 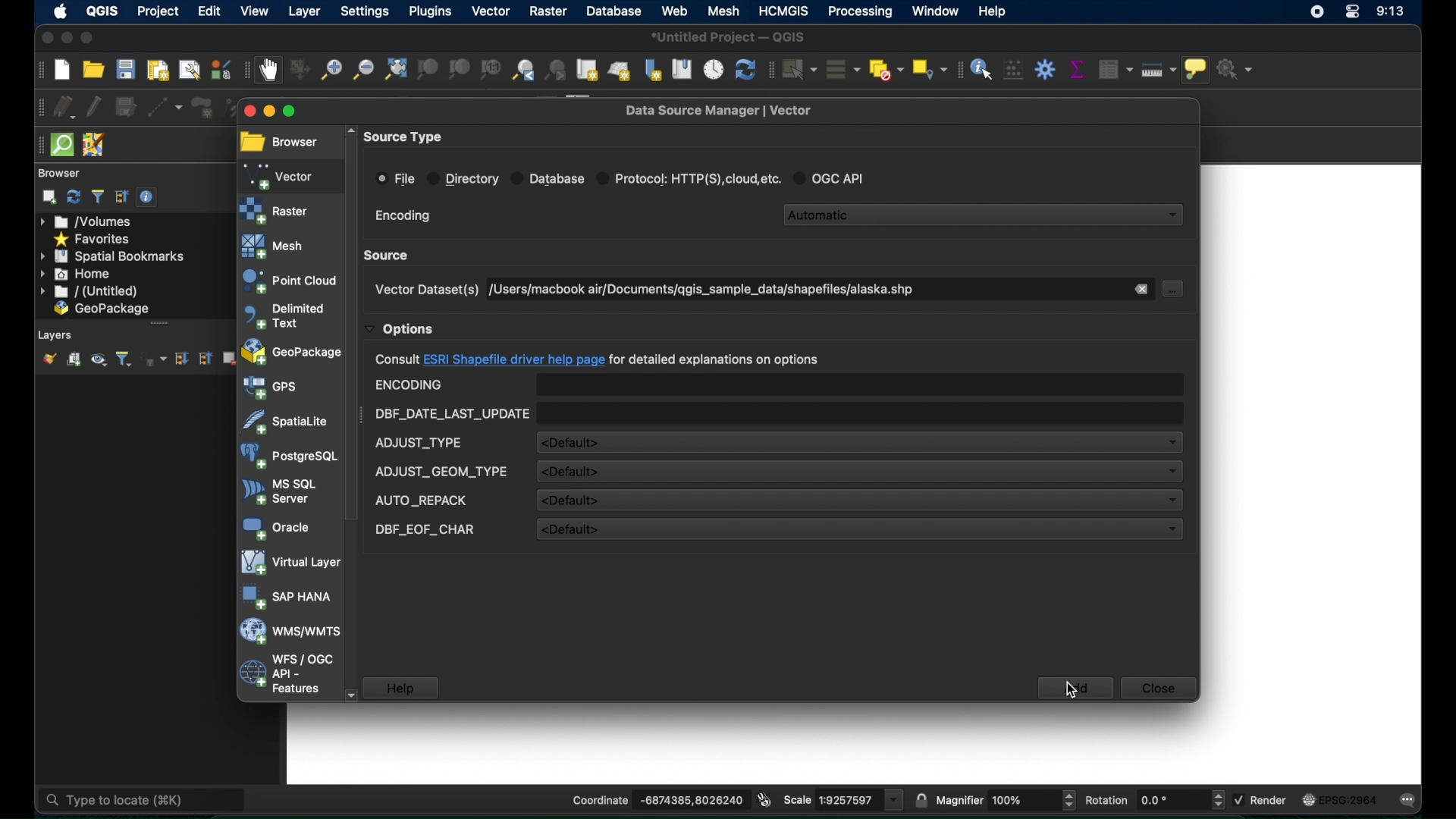 I want to click on current crs, so click(x=1339, y=801).